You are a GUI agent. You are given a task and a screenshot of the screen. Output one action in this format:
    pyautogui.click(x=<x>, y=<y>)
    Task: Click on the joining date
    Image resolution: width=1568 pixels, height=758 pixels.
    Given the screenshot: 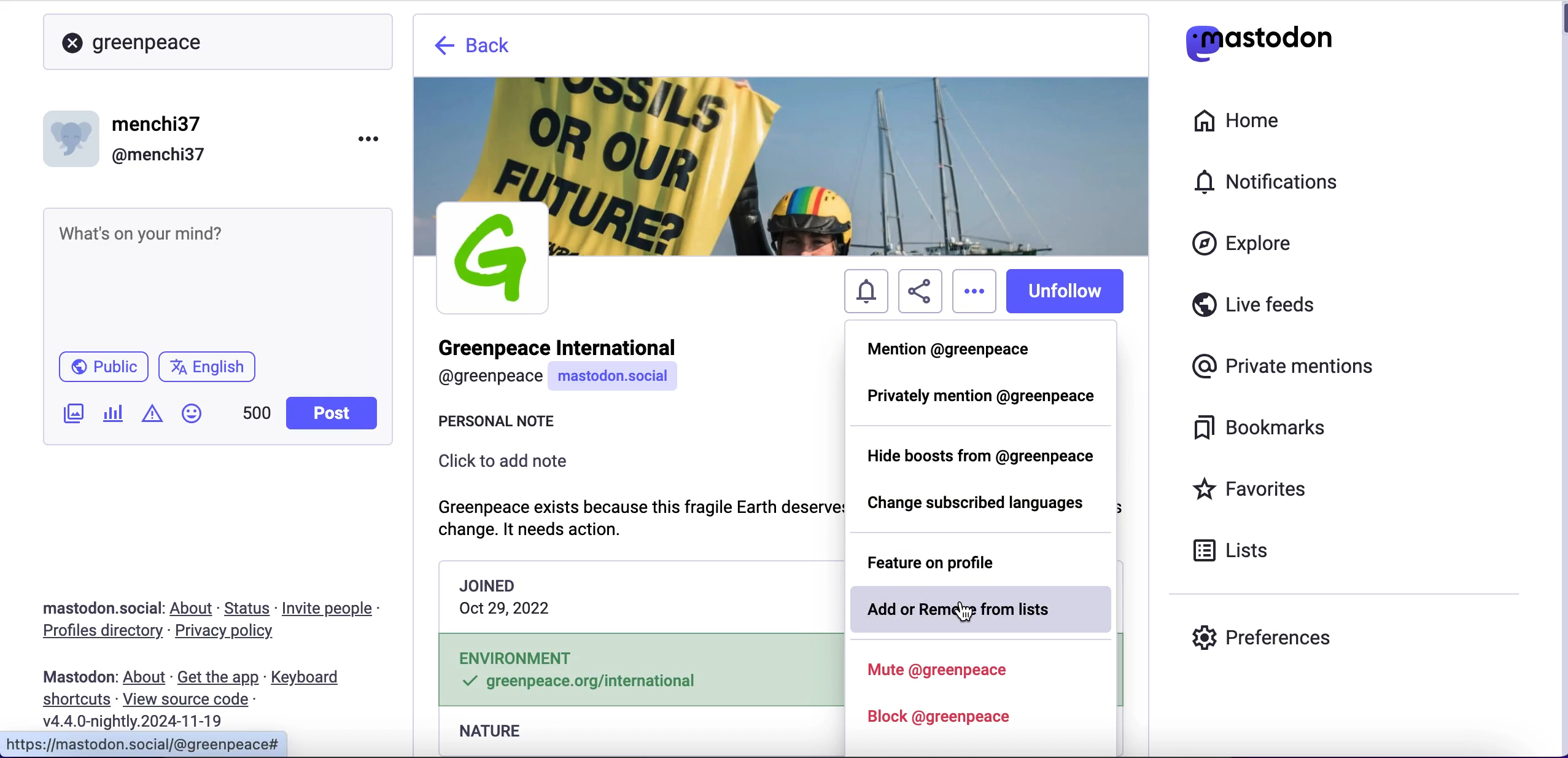 What is the action you would take?
    pyautogui.click(x=643, y=598)
    